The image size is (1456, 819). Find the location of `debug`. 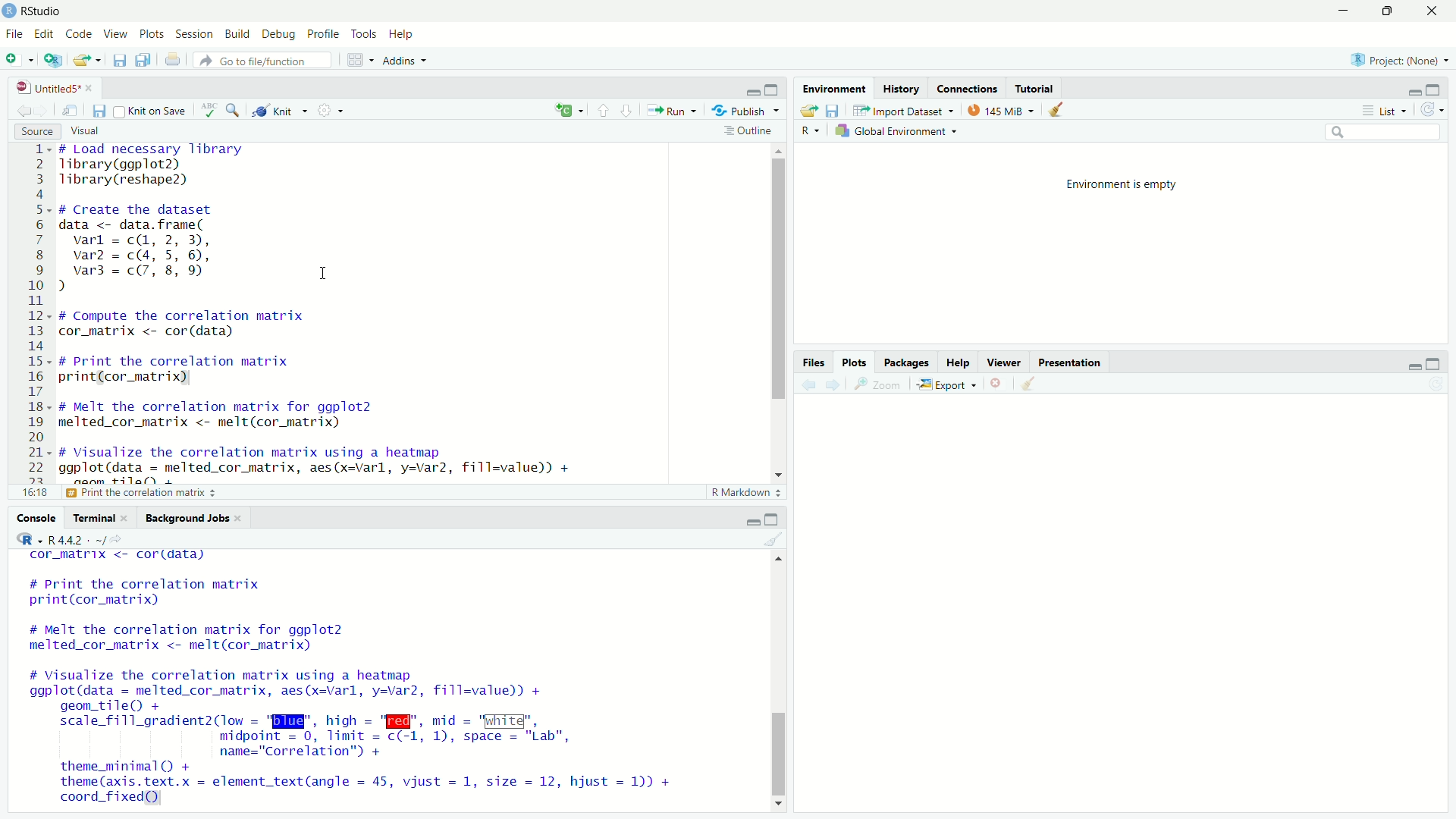

debug is located at coordinates (280, 33).